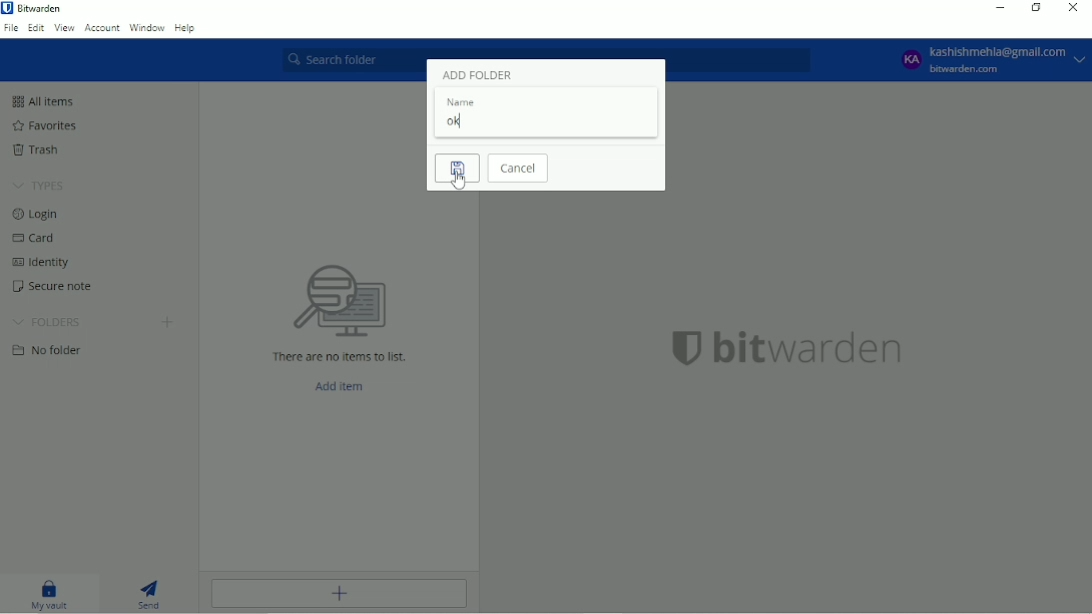 Image resolution: width=1092 pixels, height=614 pixels. What do you see at coordinates (345, 386) in the screenshot?
I see `Add Item` at bounding box center [345, 386].